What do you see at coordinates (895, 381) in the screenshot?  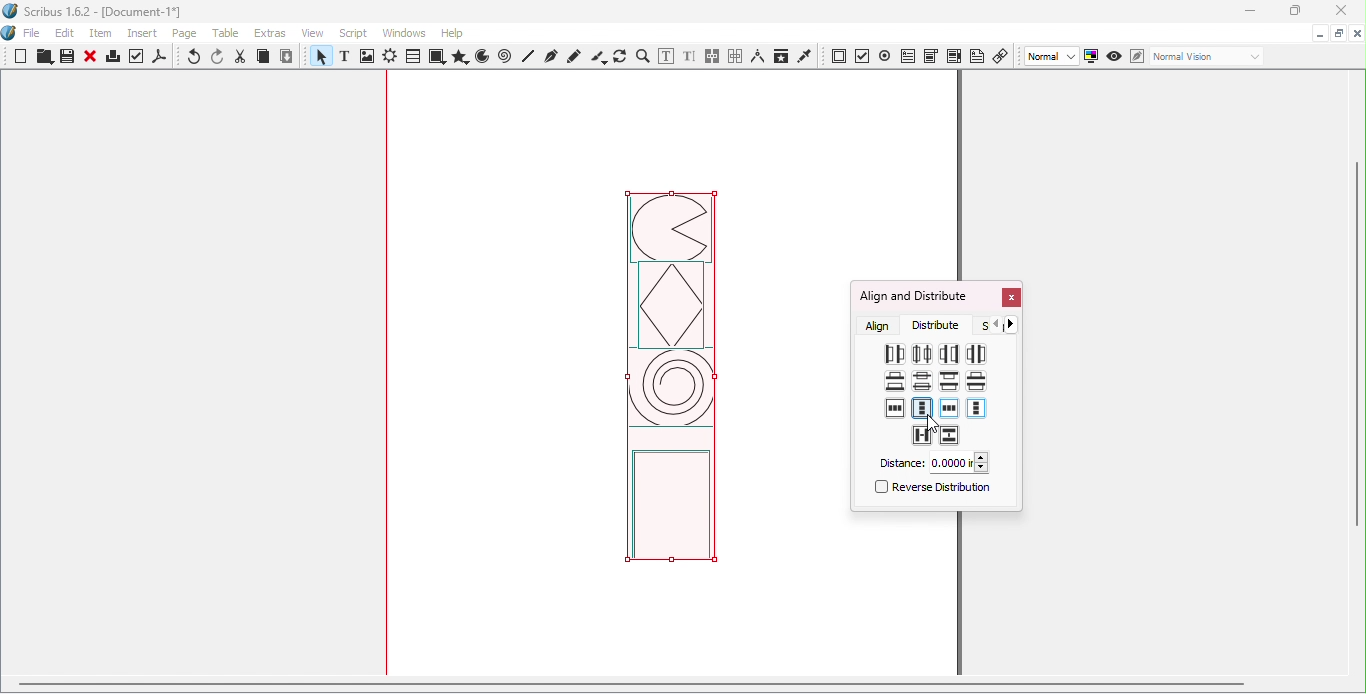 I see `Distribute bottoms equidistantly` at bounding box center [895, 381].